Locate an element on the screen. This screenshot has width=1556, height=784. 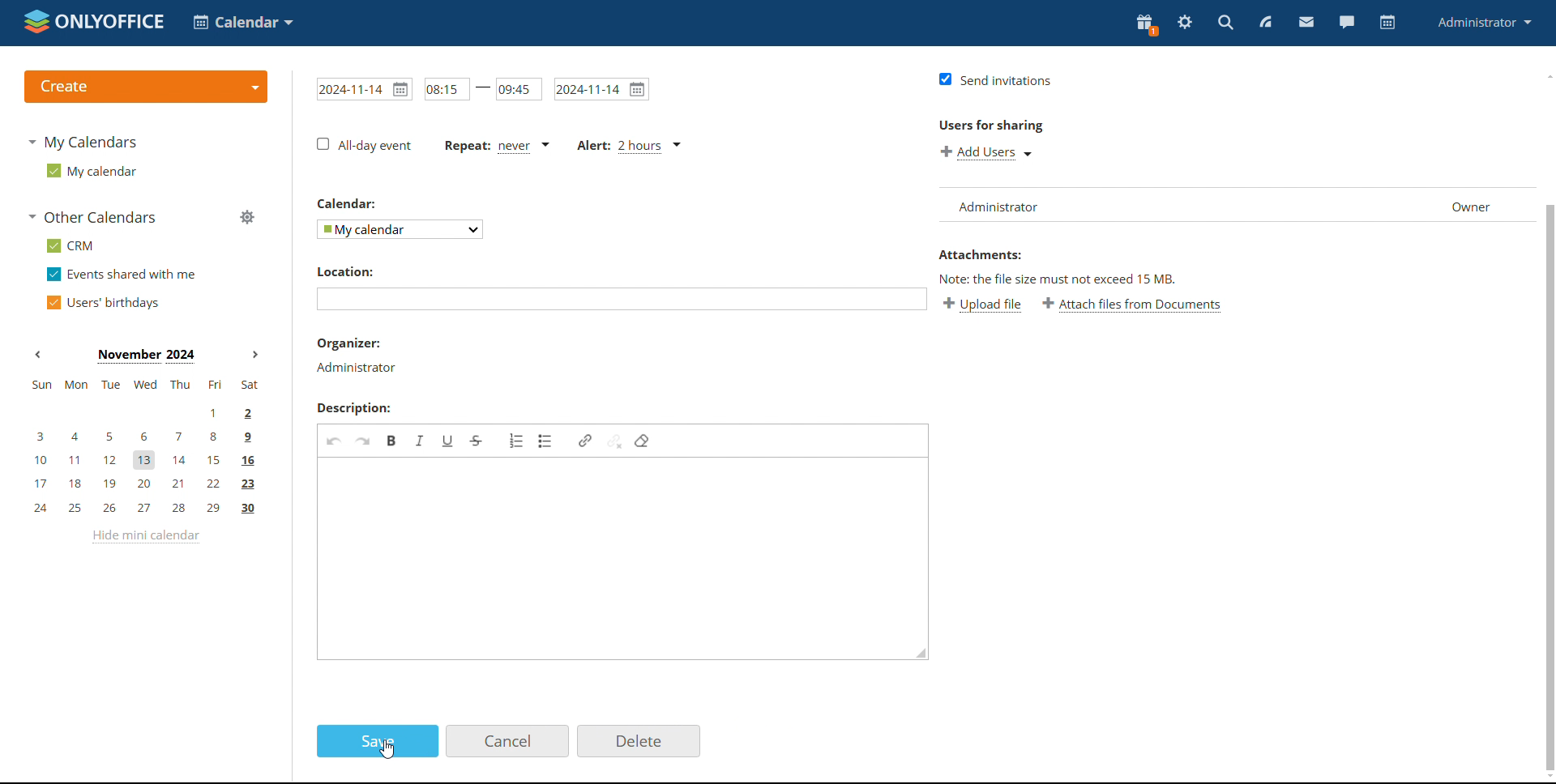
scroll up is located at coordinates (1546, 75).